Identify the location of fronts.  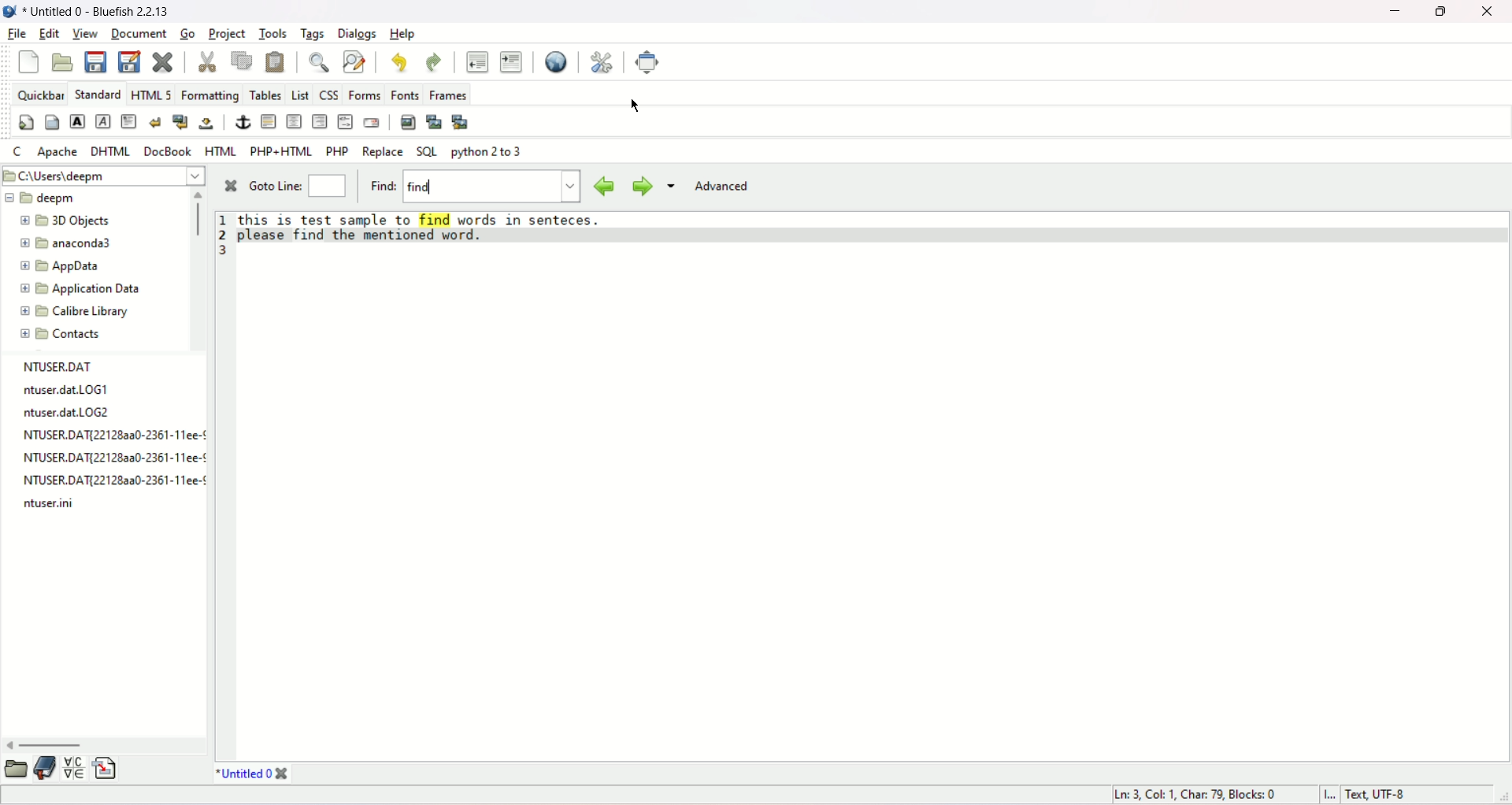
(407, 94).